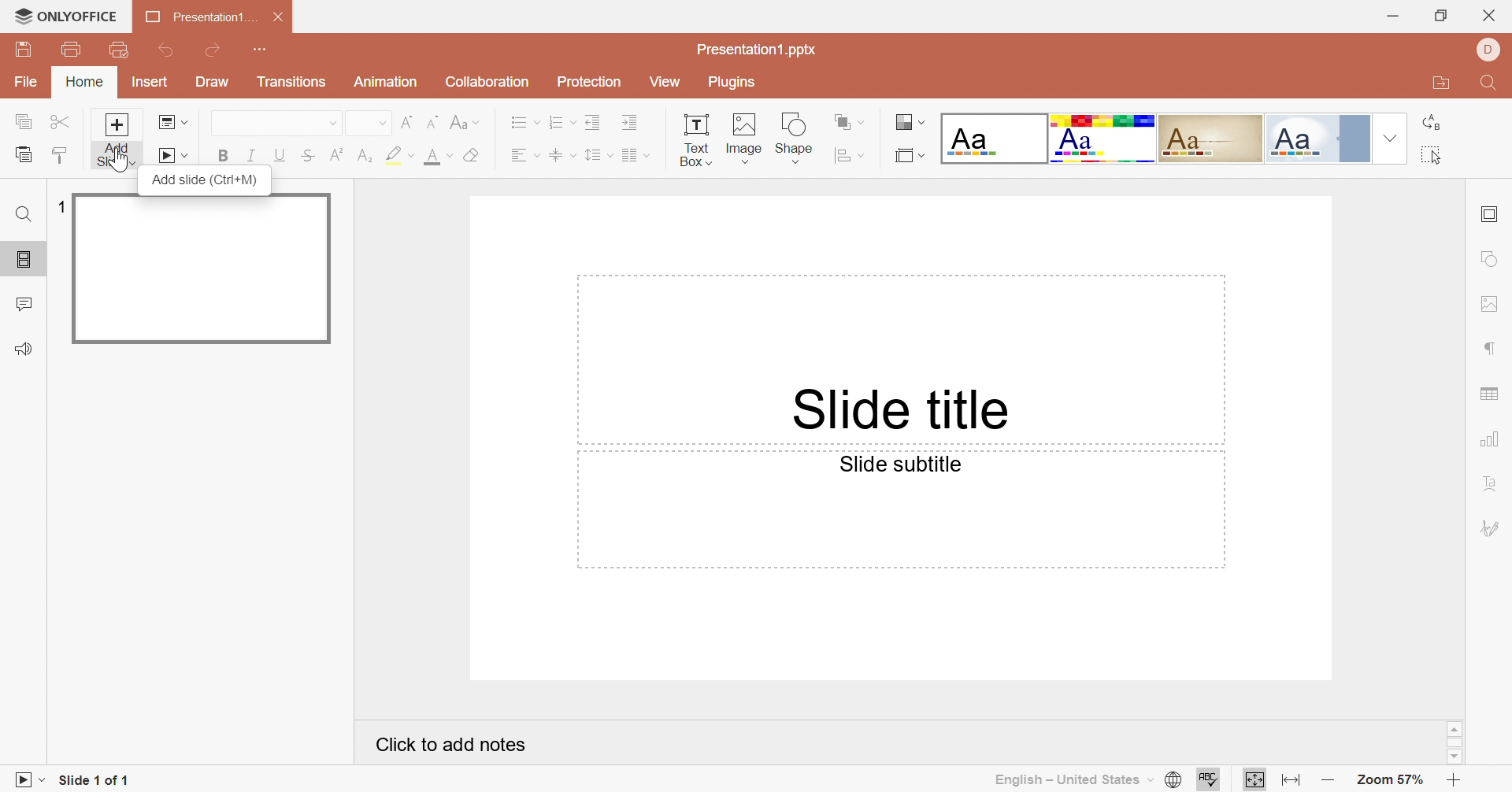 This screenshot has height=792, width=1512. Describe the element at coordinates (22, 215) in the screenshot. I see `Find` at that location.